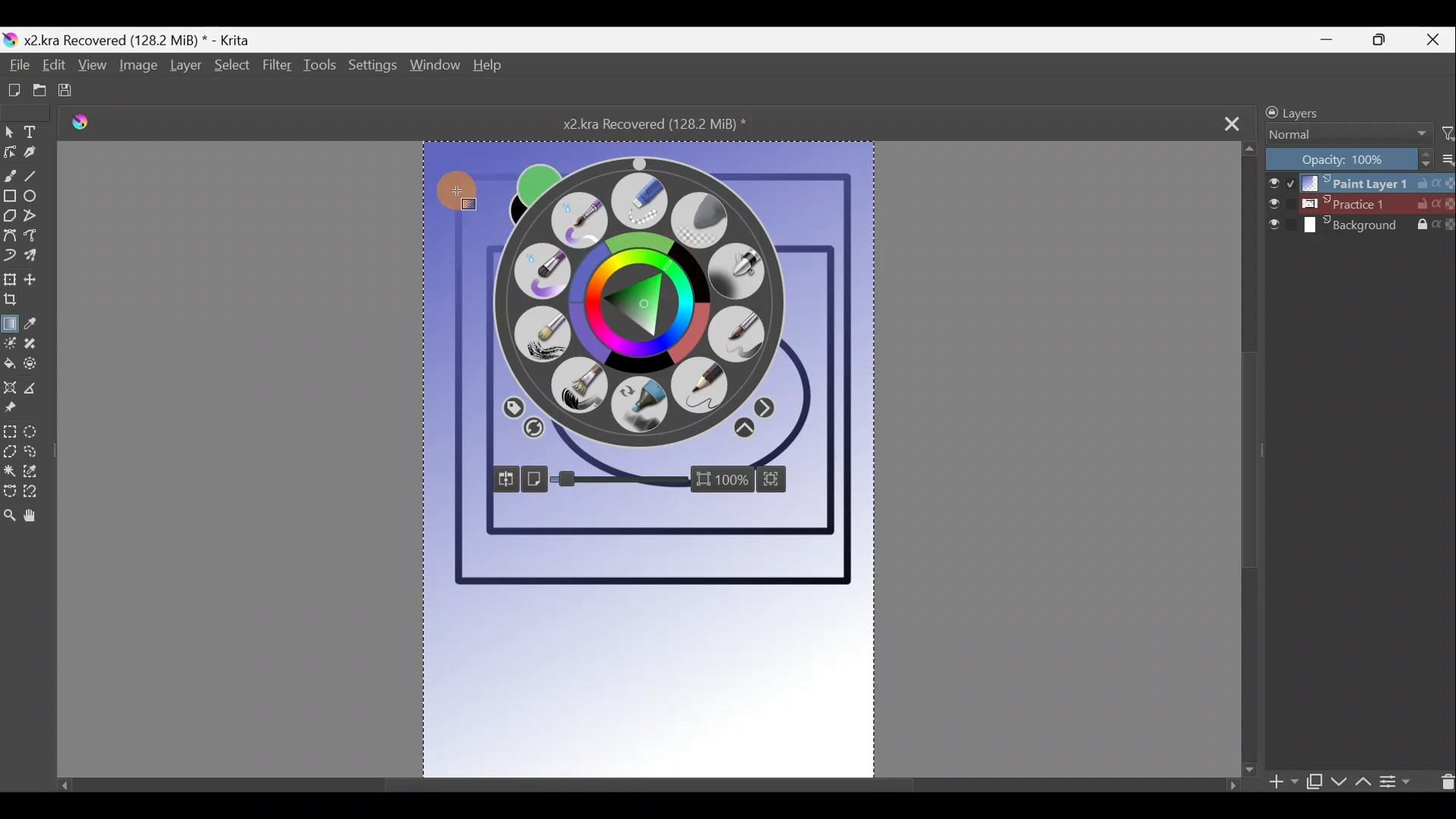 Image resolution: width=1456 pixels, height=819 pixels. I want to click on Wet paint details, so click(584, 217).